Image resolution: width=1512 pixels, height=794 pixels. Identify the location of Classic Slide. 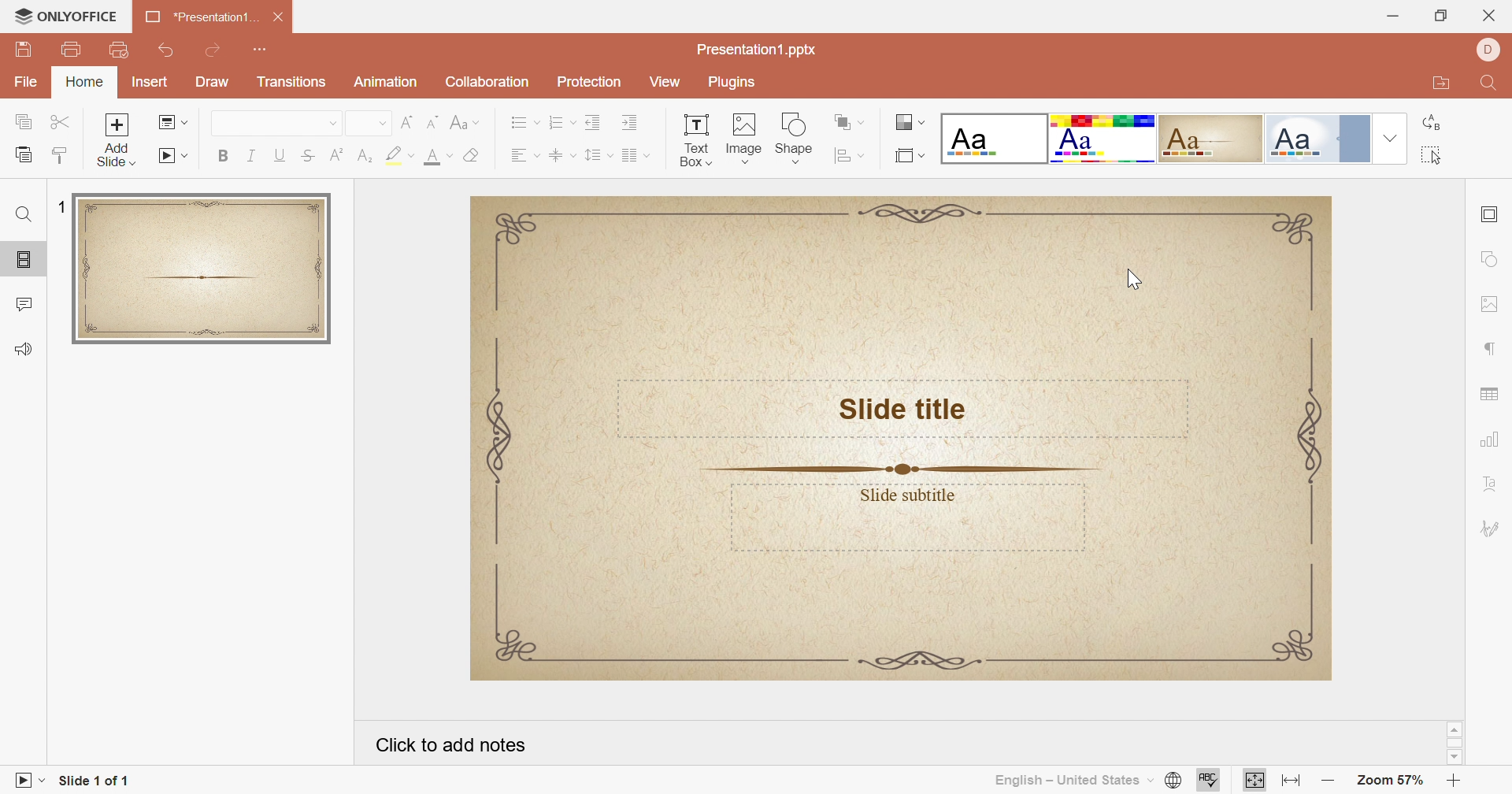
(899, 438).